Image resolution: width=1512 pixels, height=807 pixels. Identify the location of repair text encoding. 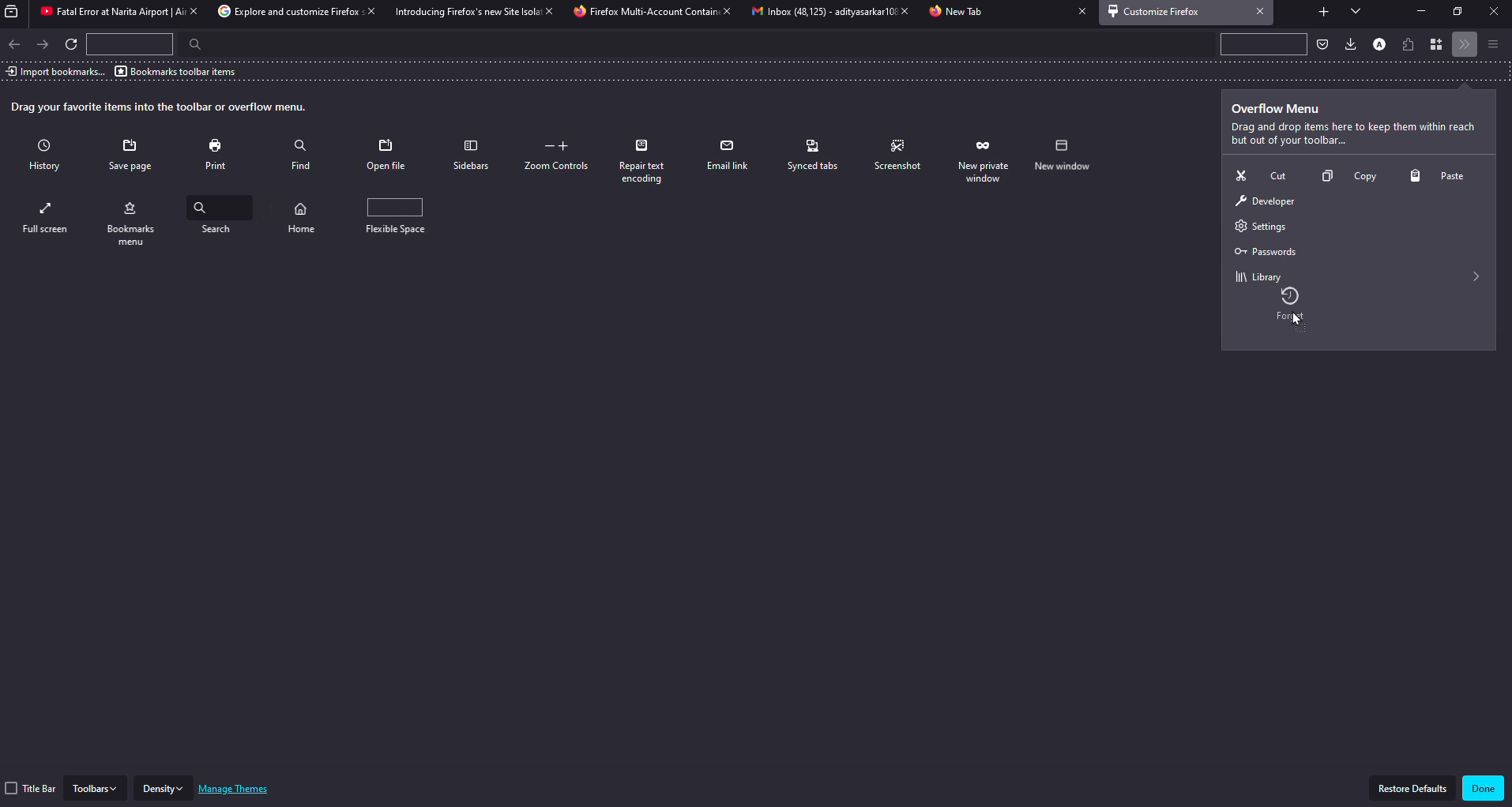
(648, 161).